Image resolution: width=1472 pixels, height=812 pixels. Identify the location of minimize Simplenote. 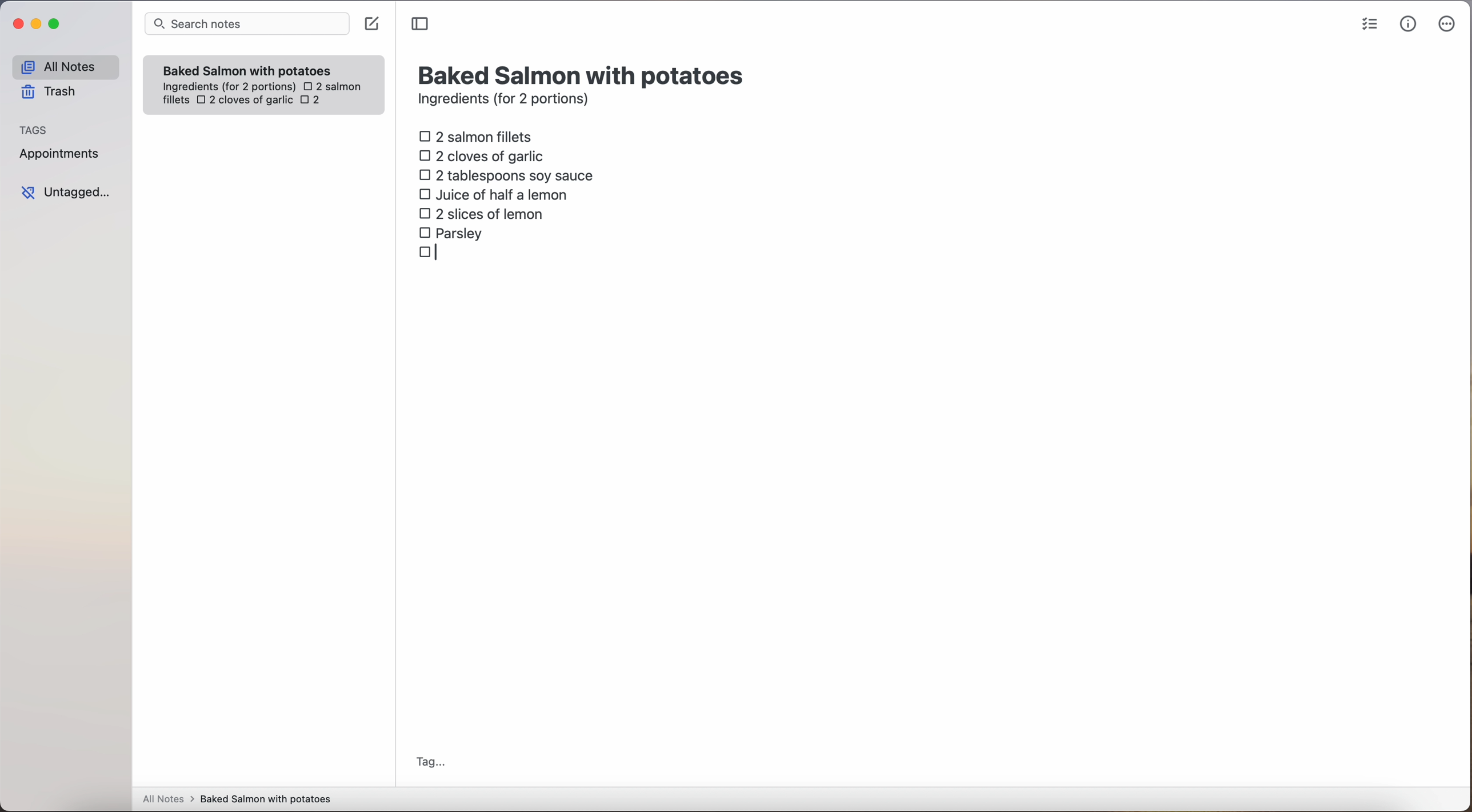
(36, 25).